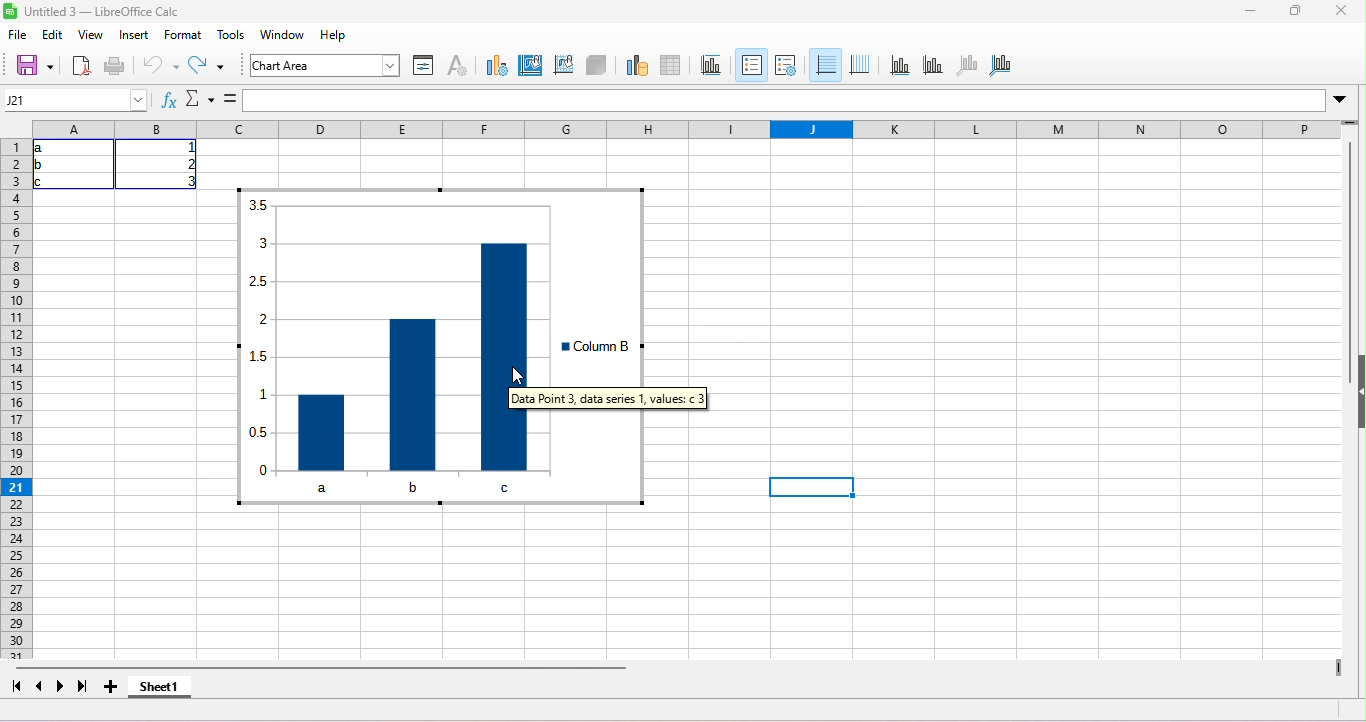  I want to click on data point3, so click(506, 355).